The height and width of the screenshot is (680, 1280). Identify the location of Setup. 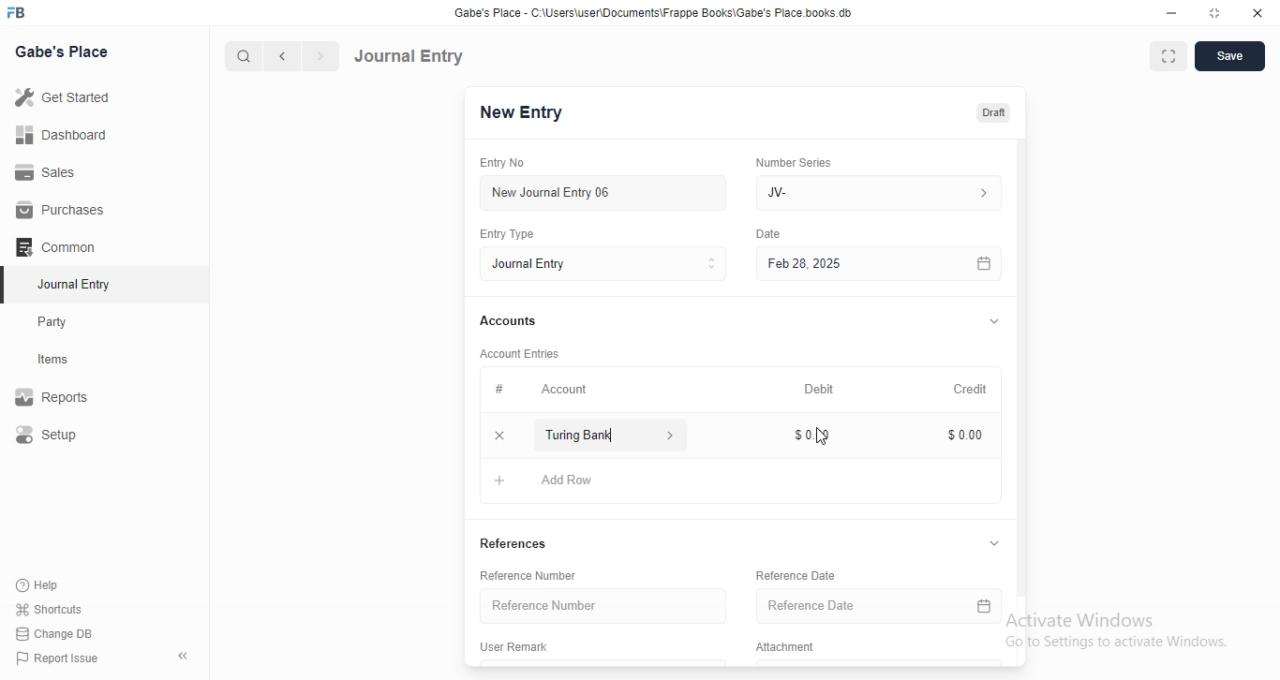
(66, 436).